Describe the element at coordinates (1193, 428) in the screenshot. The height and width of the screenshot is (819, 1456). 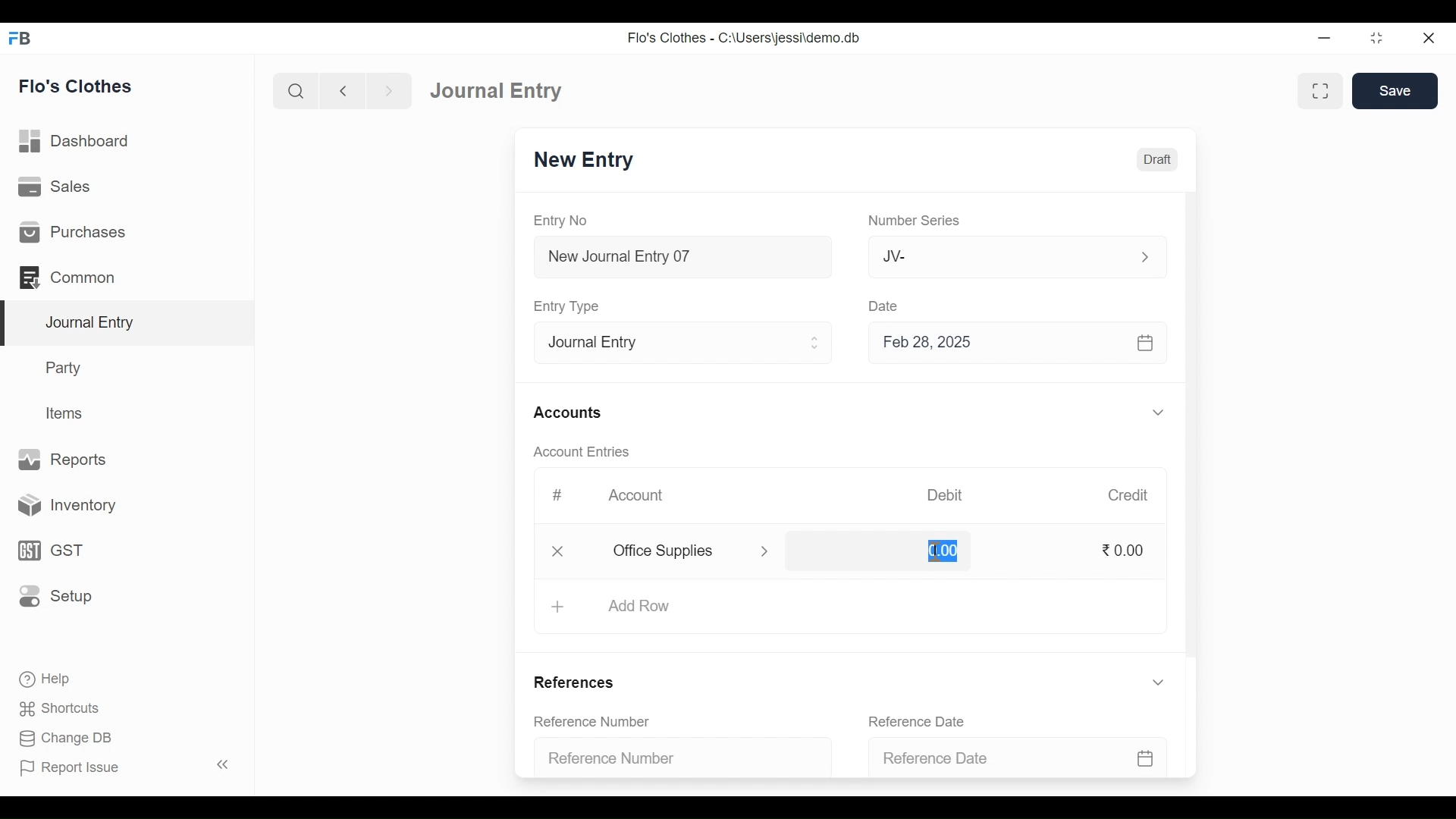
I see `Vertical Scroll bar` at that location.